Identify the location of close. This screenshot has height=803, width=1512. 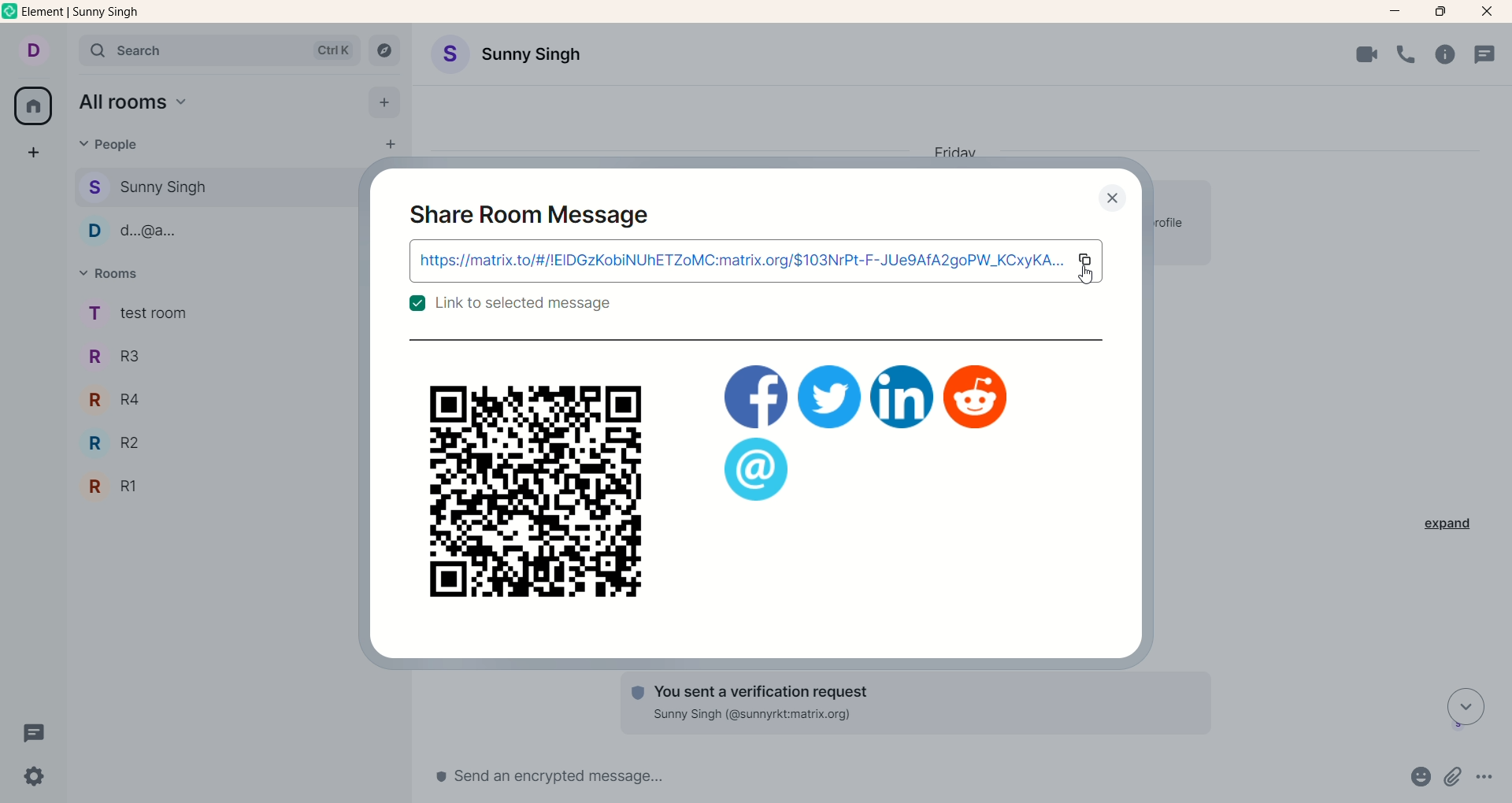
(1489, 12).